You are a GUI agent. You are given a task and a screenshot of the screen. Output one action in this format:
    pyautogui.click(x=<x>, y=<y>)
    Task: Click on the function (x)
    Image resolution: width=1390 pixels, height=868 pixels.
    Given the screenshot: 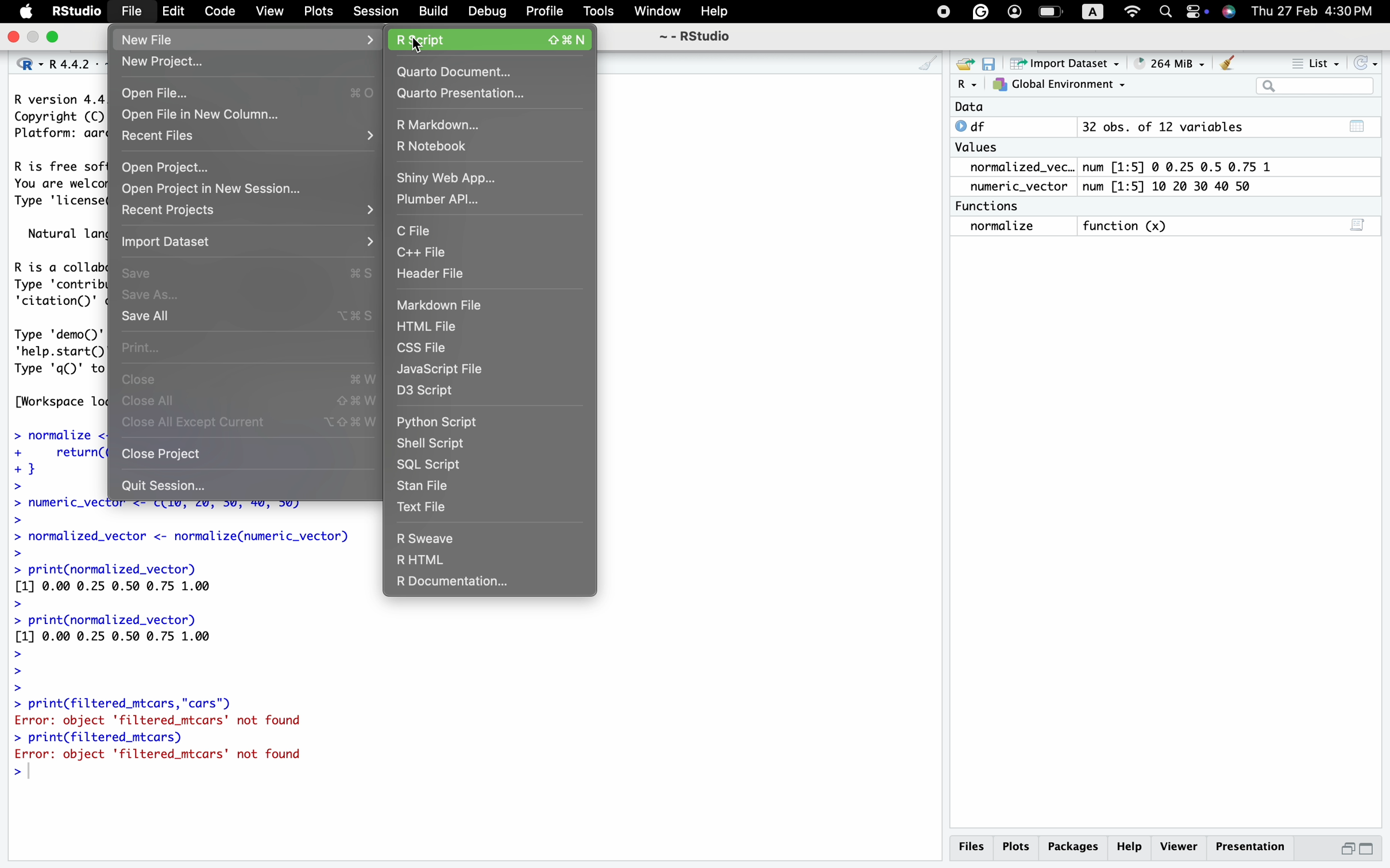 What is the action you would take?
    pyautogui.click(x=1128, y=224)
    